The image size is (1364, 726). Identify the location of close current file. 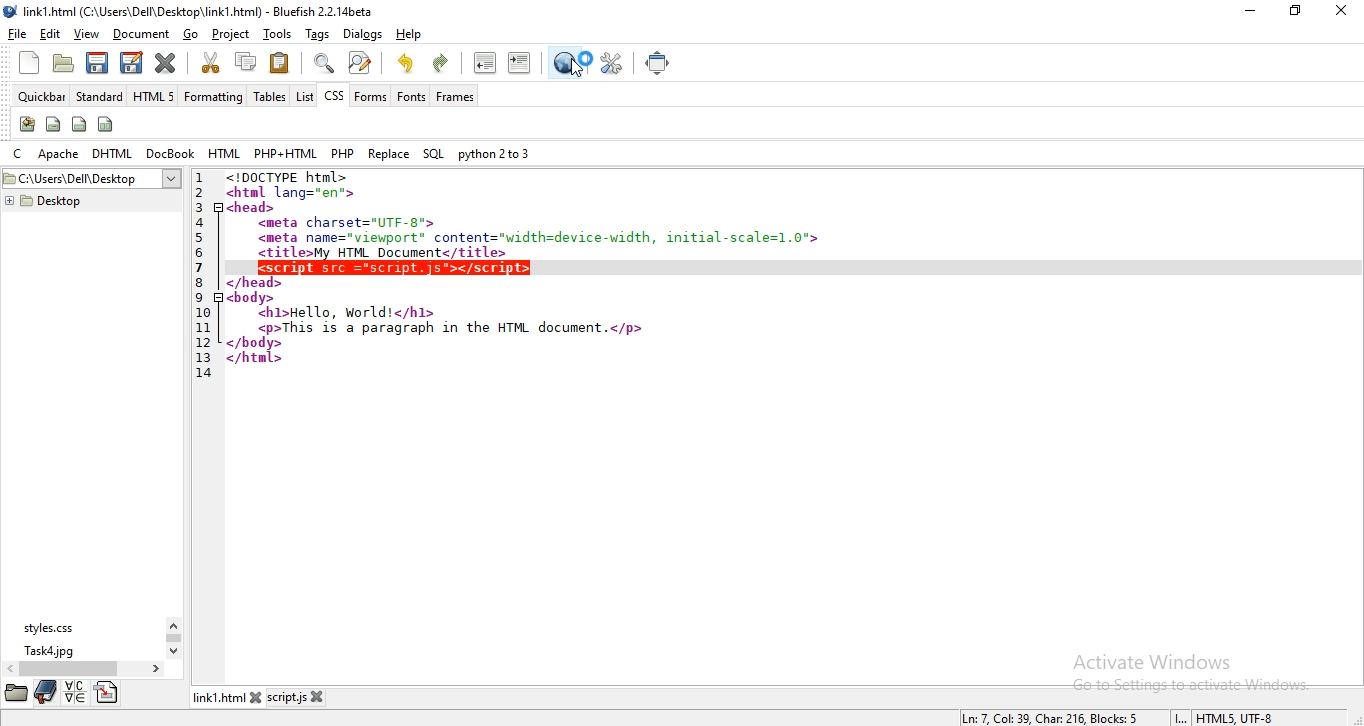
(165, 65).